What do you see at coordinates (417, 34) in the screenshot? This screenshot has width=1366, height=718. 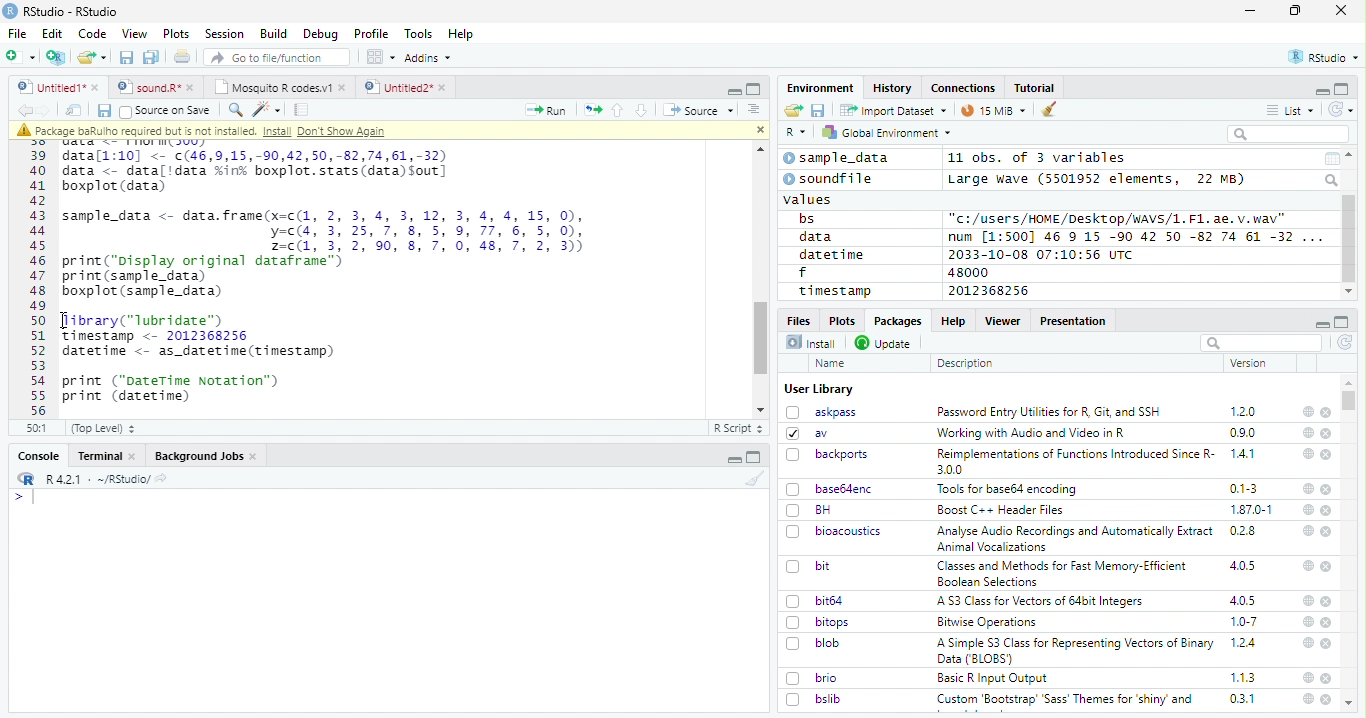 I see `Tools` at bounding box center [417, 34].